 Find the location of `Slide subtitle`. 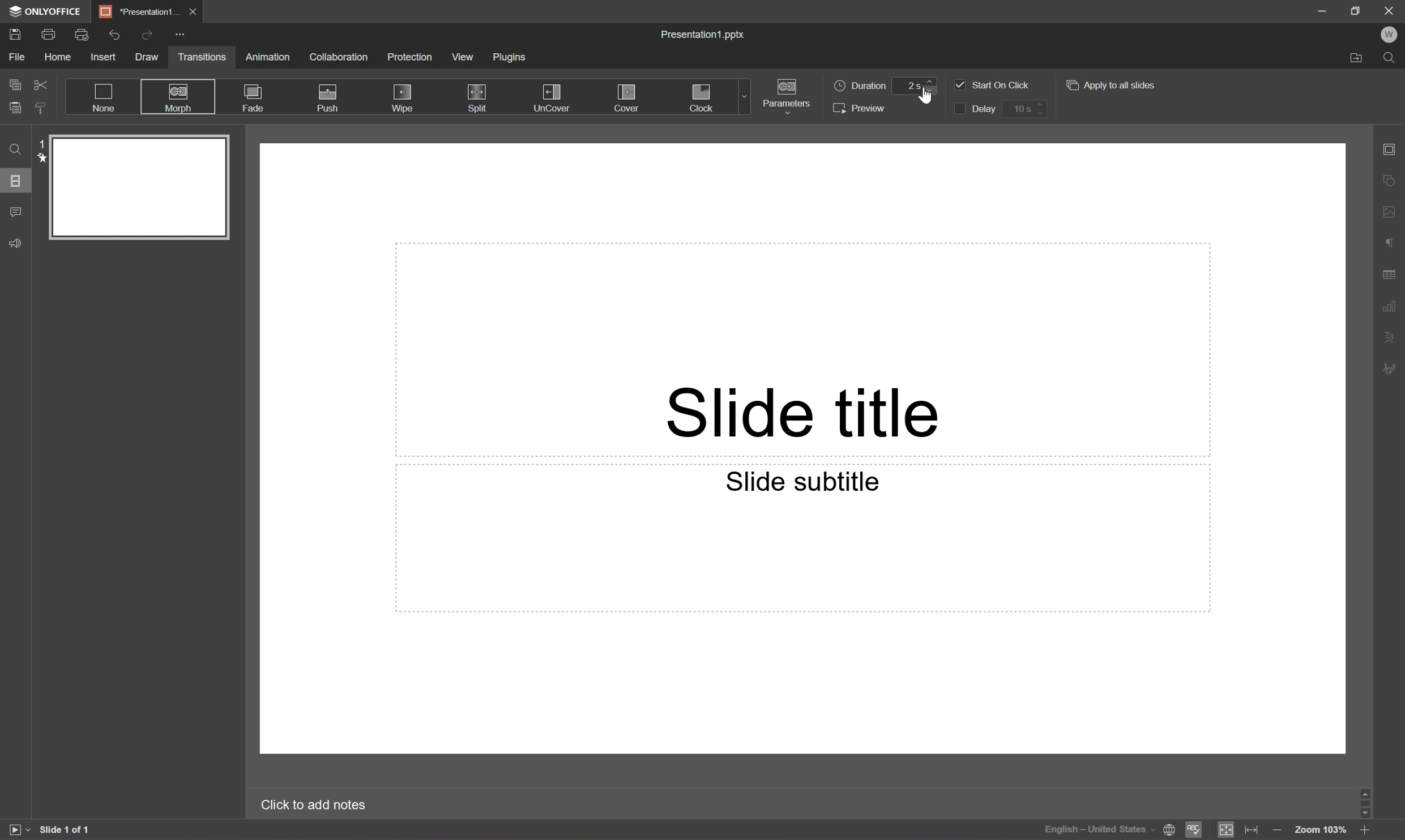

Slide subtitle is located at coordinates (807, 481).